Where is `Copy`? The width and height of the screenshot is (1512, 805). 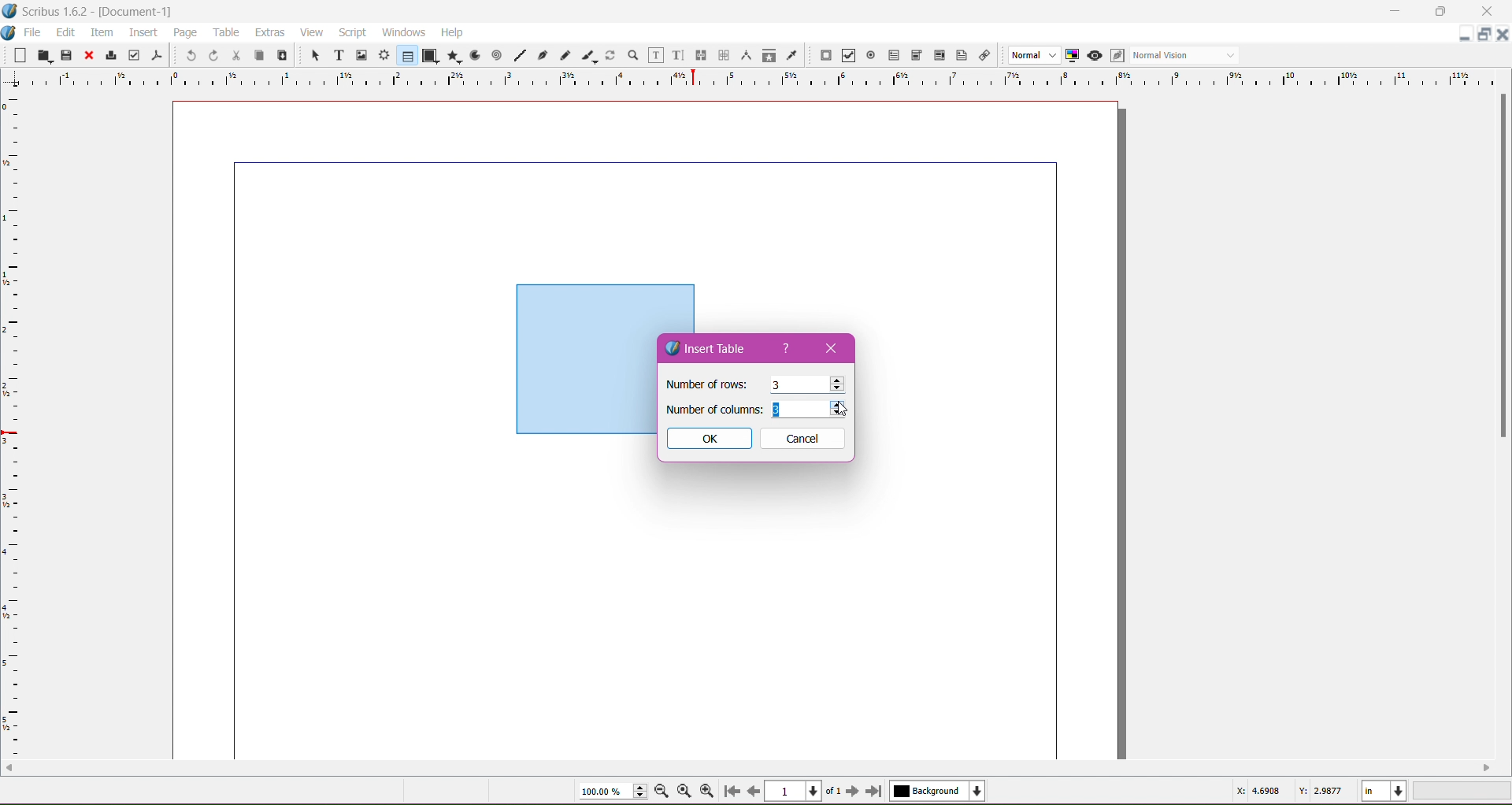
Copy is located at coordinates (257, 54).